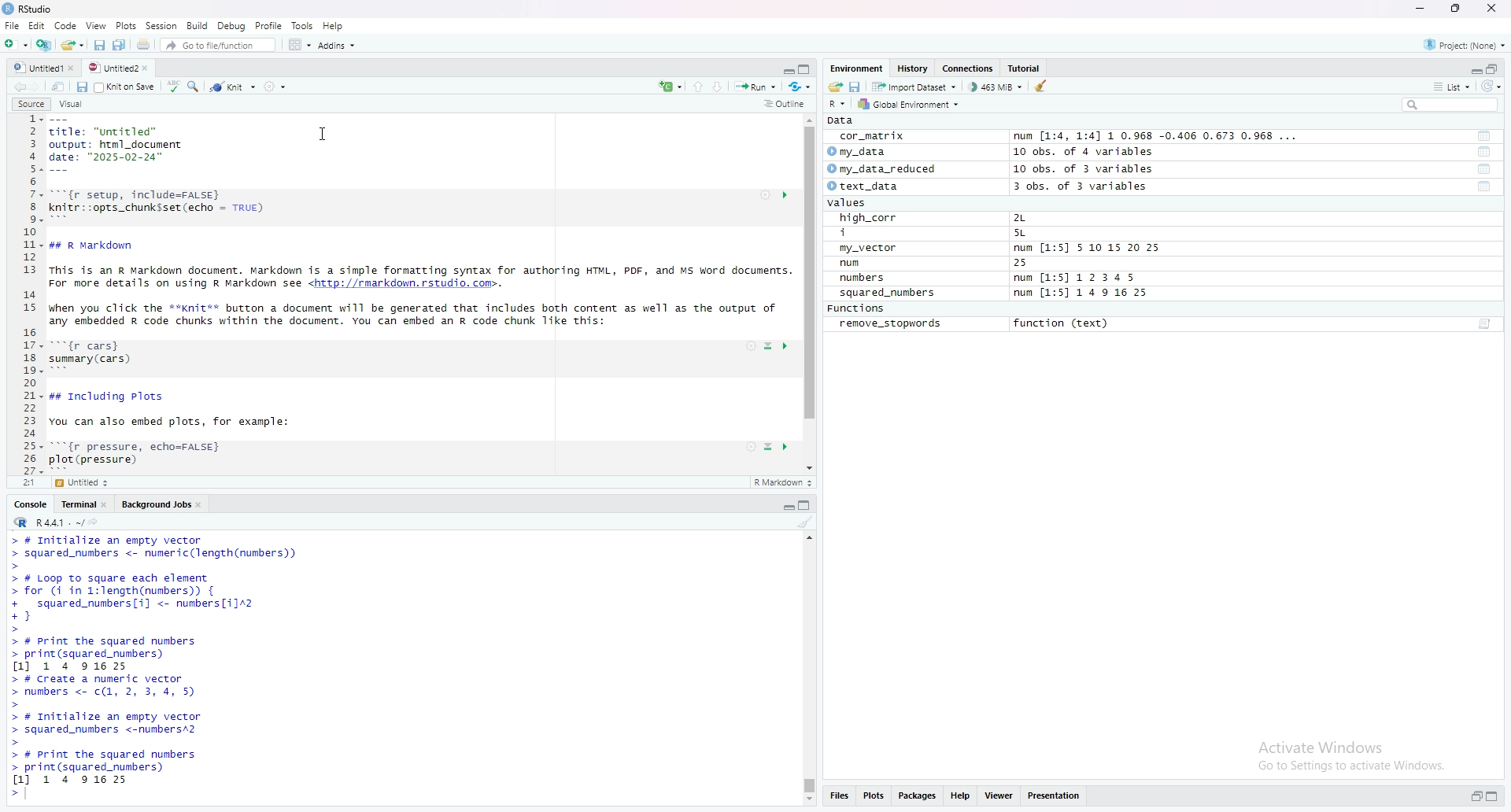 The width and height of the screenshot is (1511, 812). Describe the element at coordinates (42, 87) in the screenshot. I see `Move forward` at that location.